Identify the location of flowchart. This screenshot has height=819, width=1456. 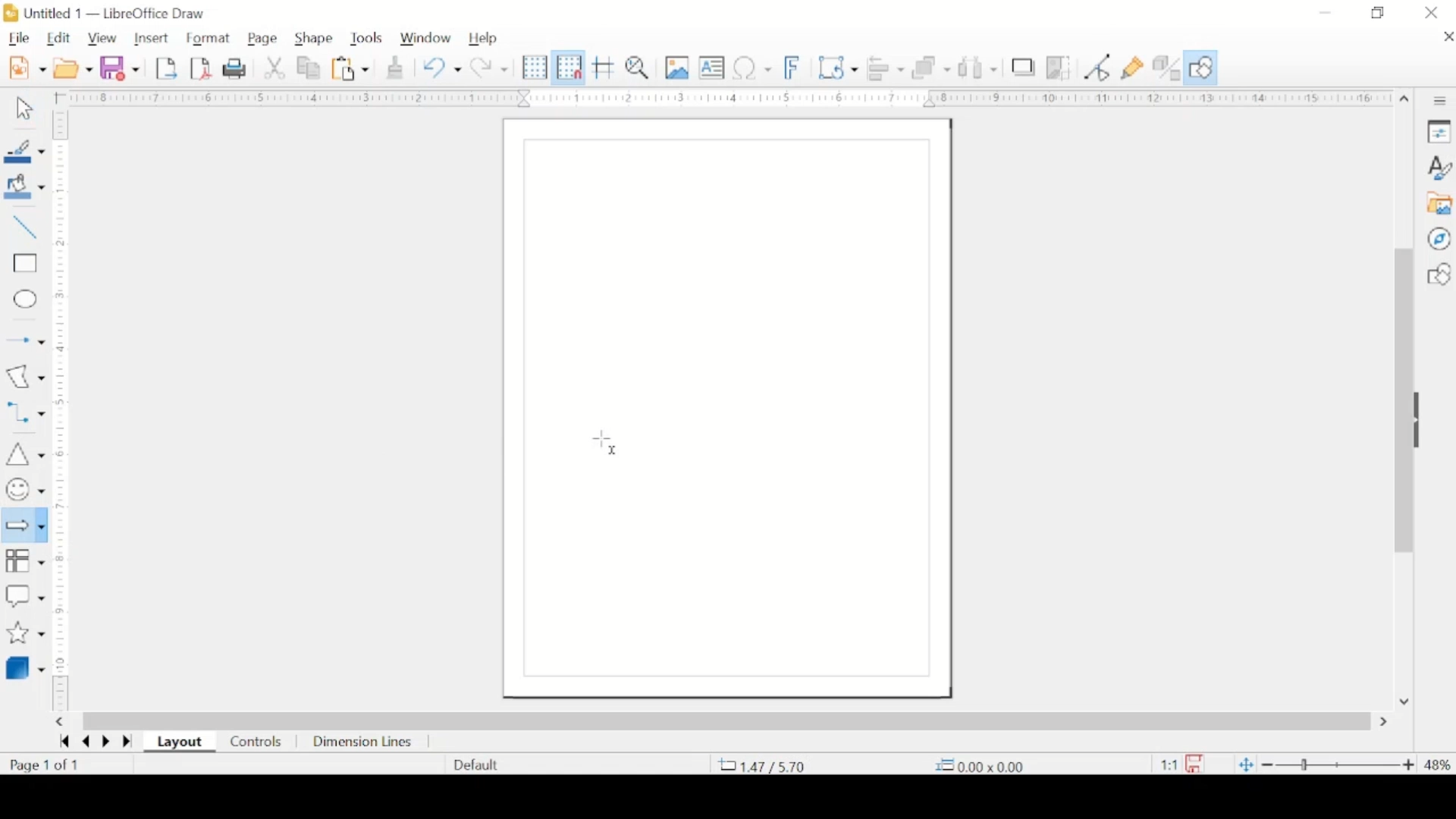
(25, 563).